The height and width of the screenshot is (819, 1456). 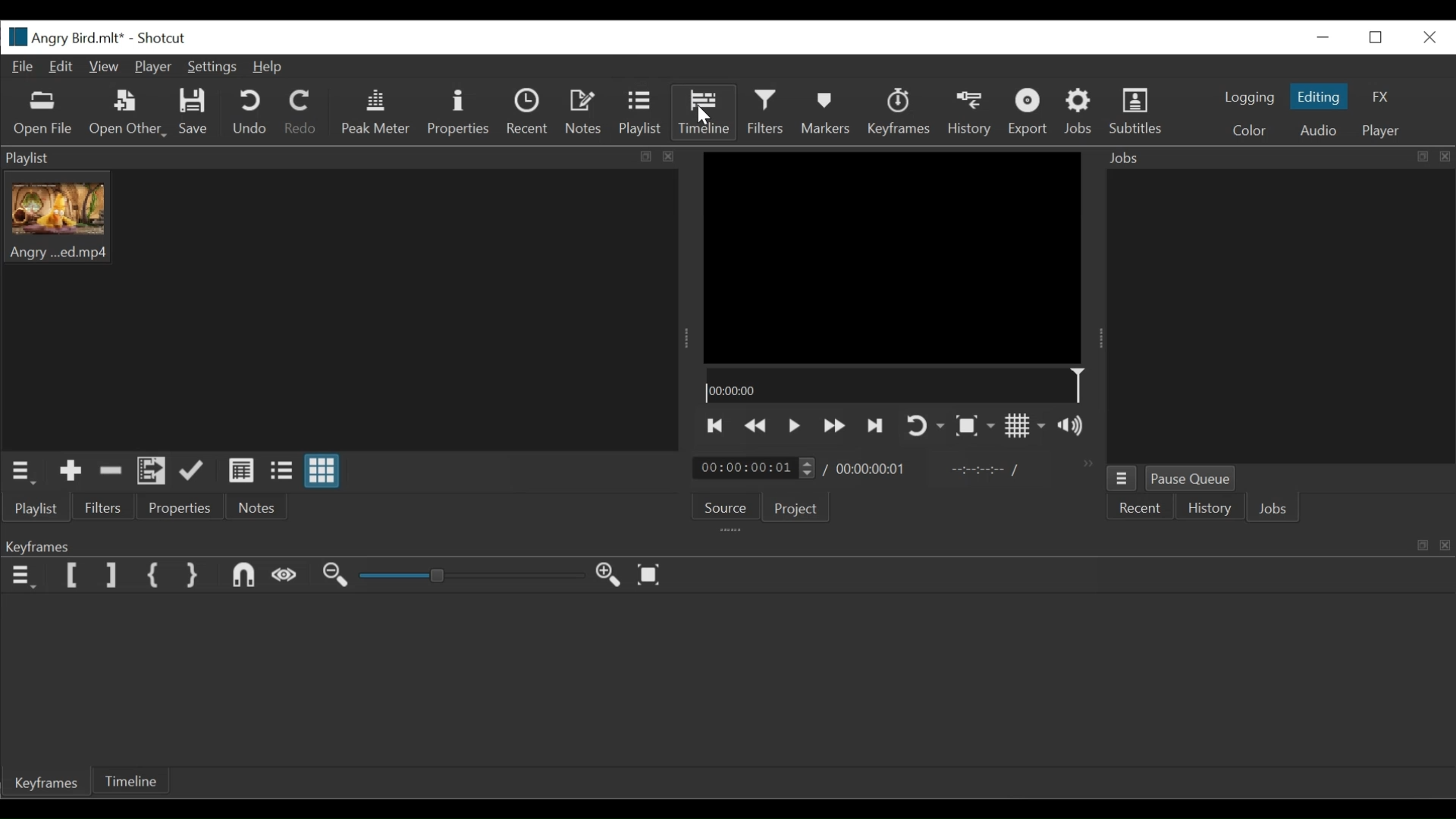 What do you see at coordinates (1028, 114) in the screenshot?
I see `Export` at bounding box center [1028, 114].